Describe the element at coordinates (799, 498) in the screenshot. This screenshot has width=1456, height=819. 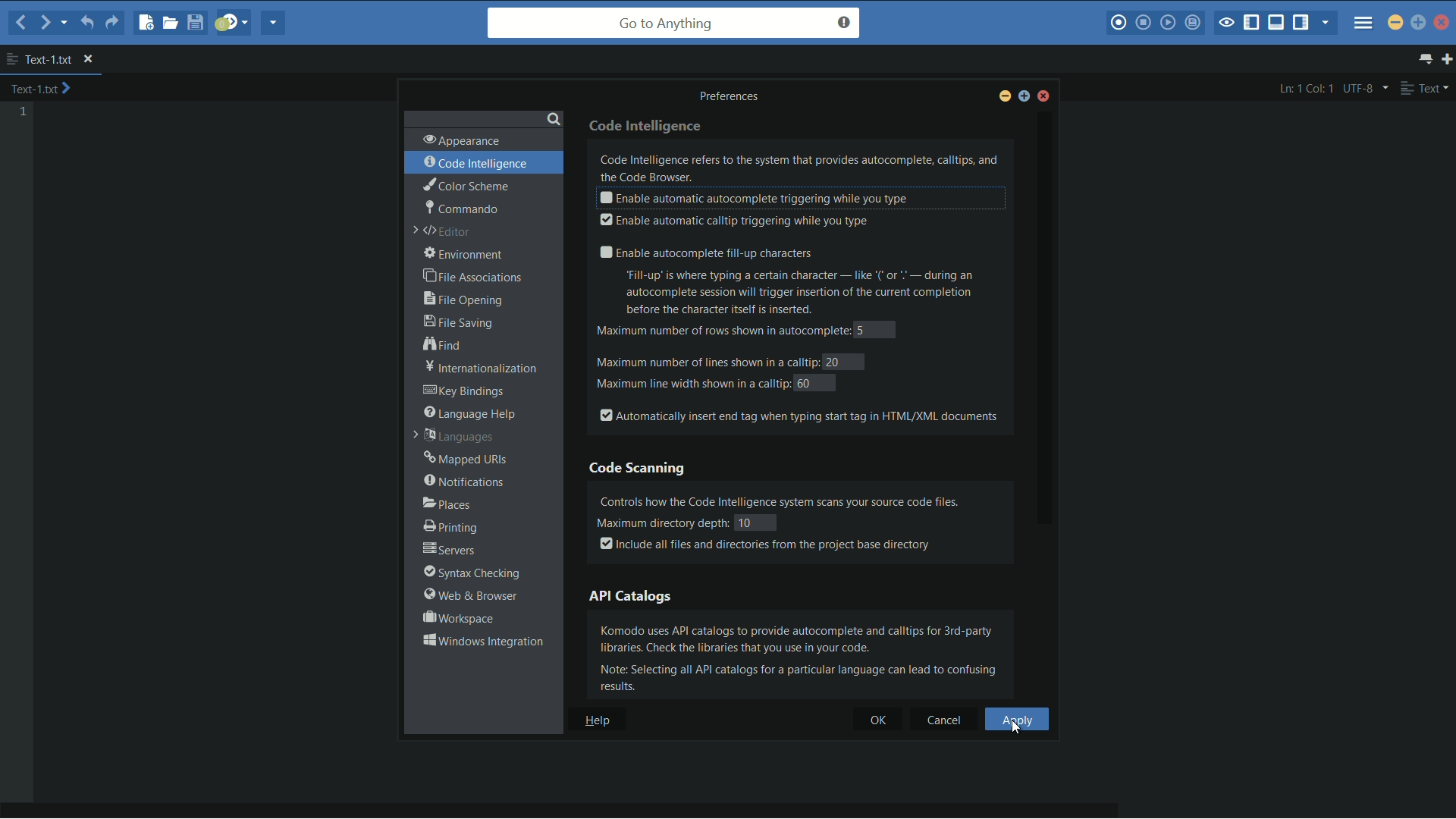
I see `Controls how the Code Intelligence system scans your source code files.` at that location.